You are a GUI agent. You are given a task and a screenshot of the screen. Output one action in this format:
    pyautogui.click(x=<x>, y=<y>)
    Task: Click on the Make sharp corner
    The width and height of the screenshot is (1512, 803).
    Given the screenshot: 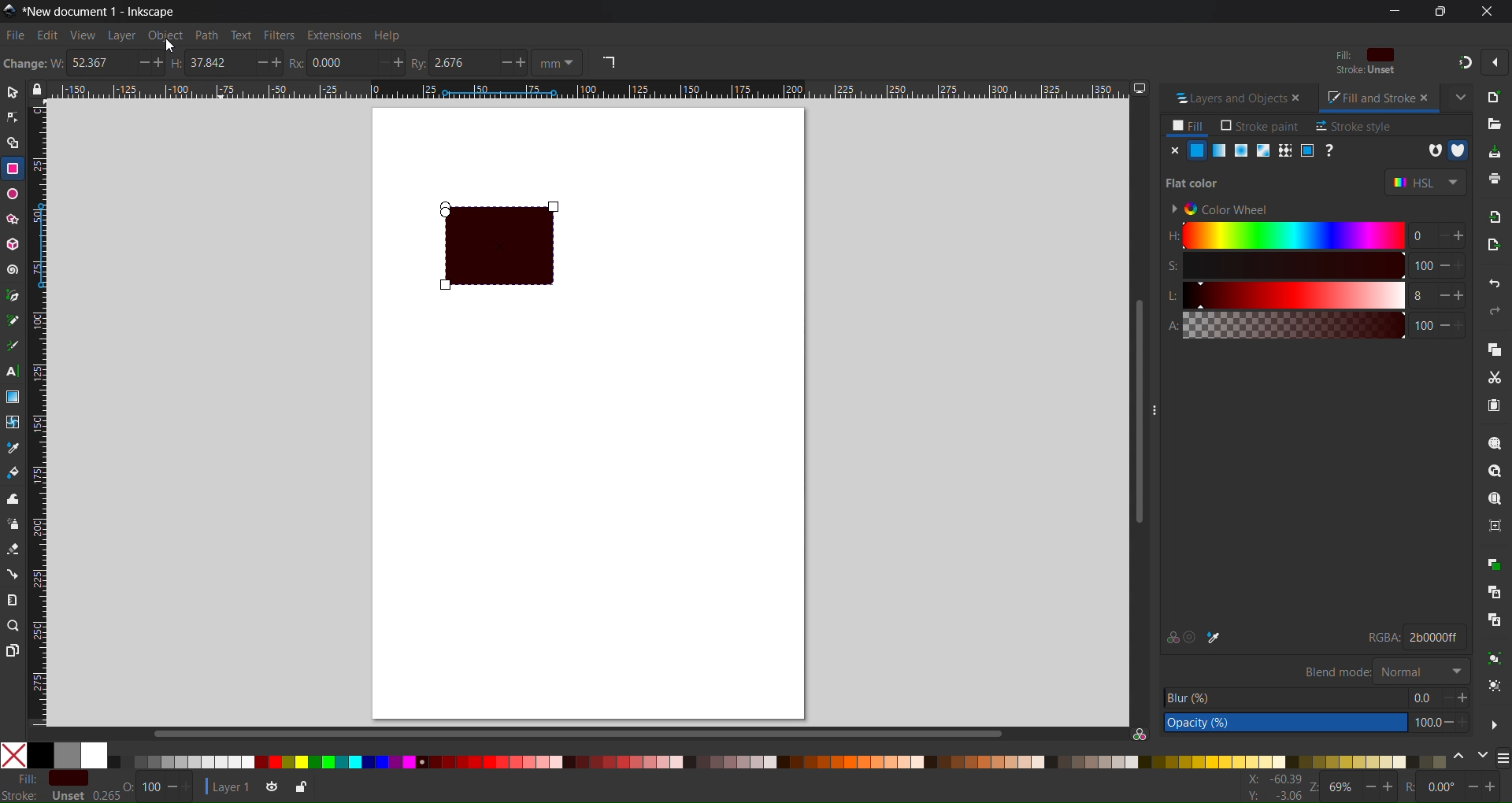 What is the action you would take?
    pyautogui.click(x=608, y=63)
    